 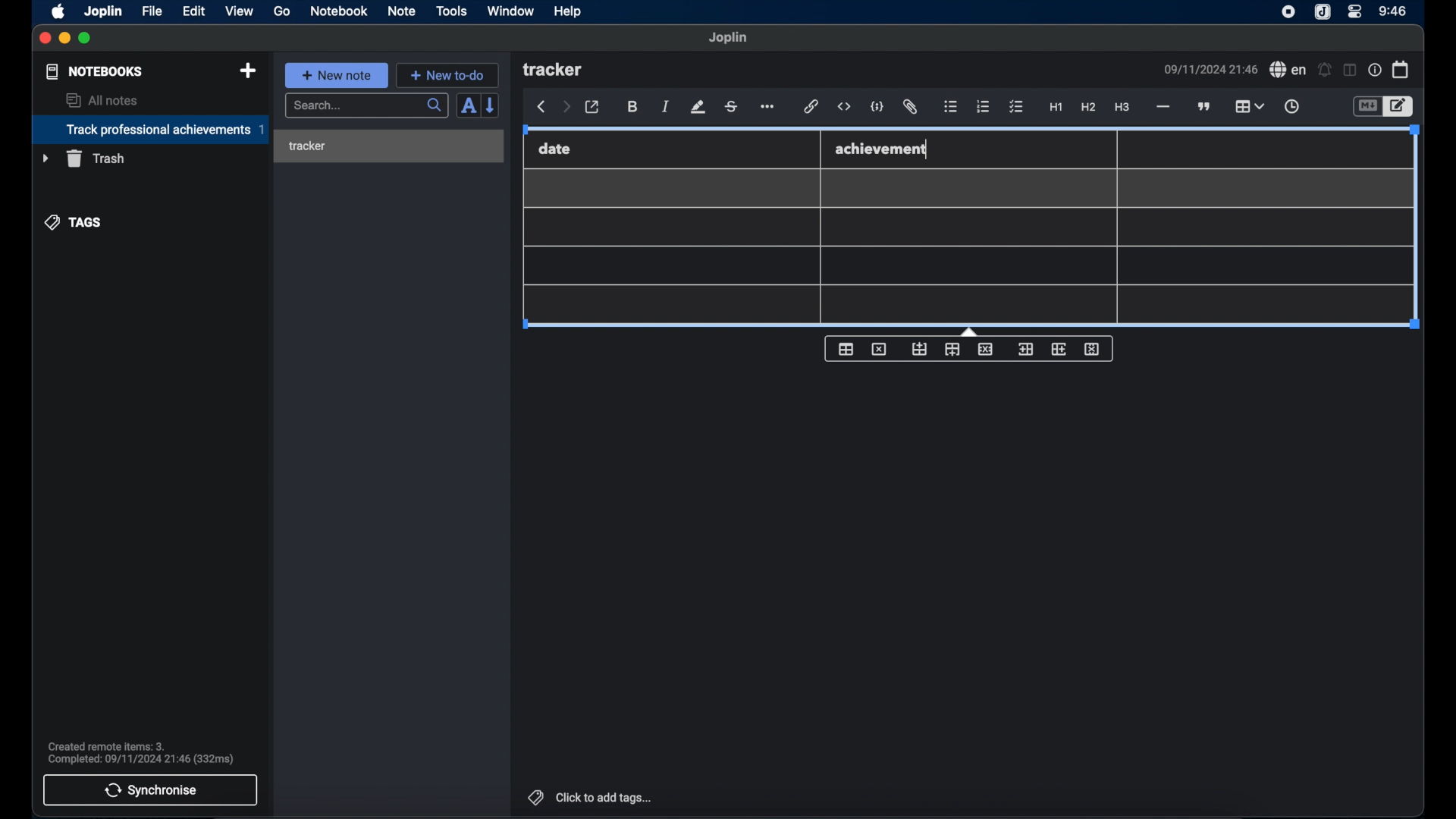 I want to click on joplin, so click(x=729, y=38).